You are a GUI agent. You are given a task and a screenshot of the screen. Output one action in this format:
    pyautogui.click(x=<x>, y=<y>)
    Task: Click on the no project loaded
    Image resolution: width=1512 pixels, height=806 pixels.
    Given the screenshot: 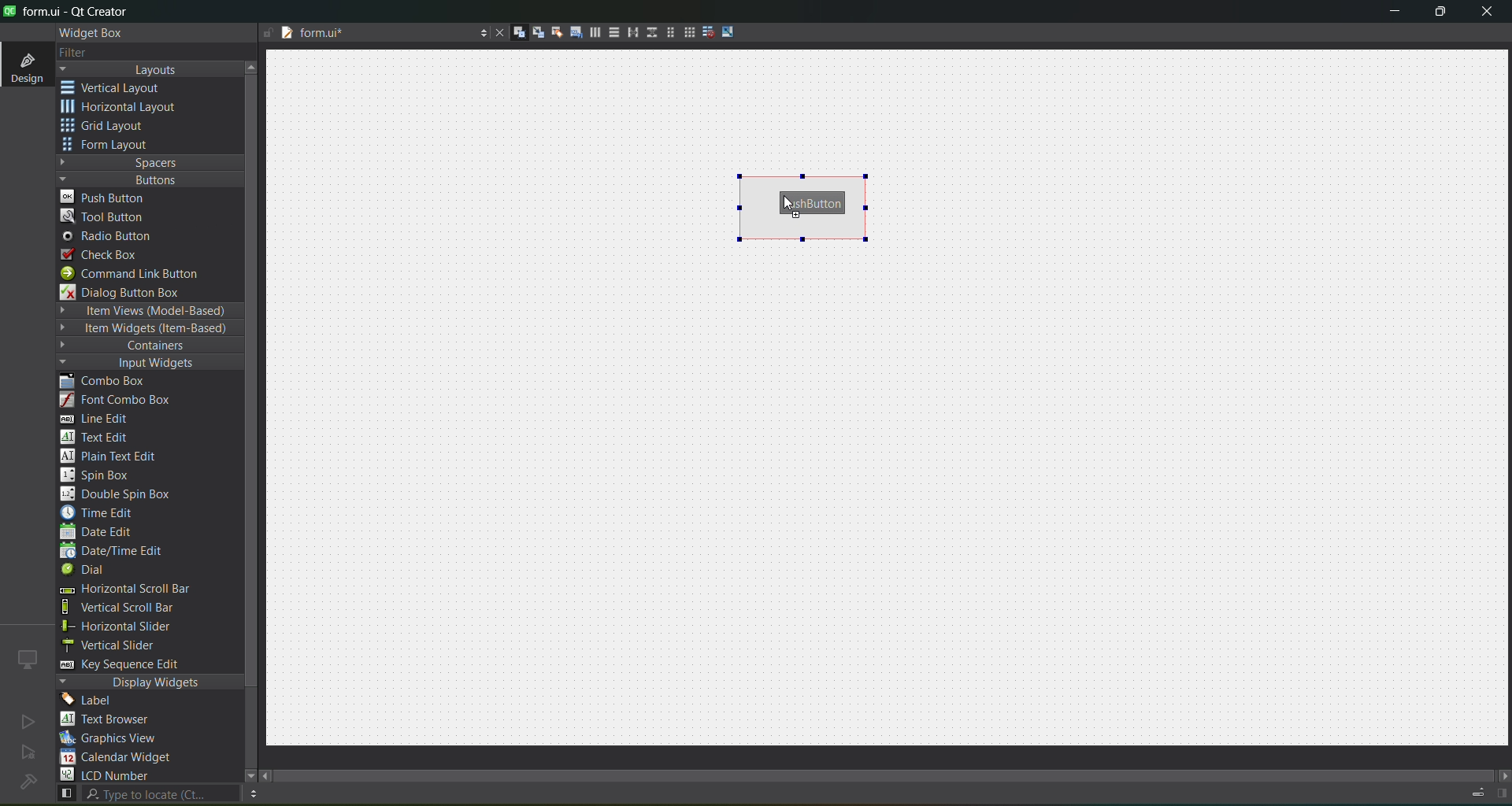 What is the action you would take?
    pyautogui.click(x=28, y=782)
    